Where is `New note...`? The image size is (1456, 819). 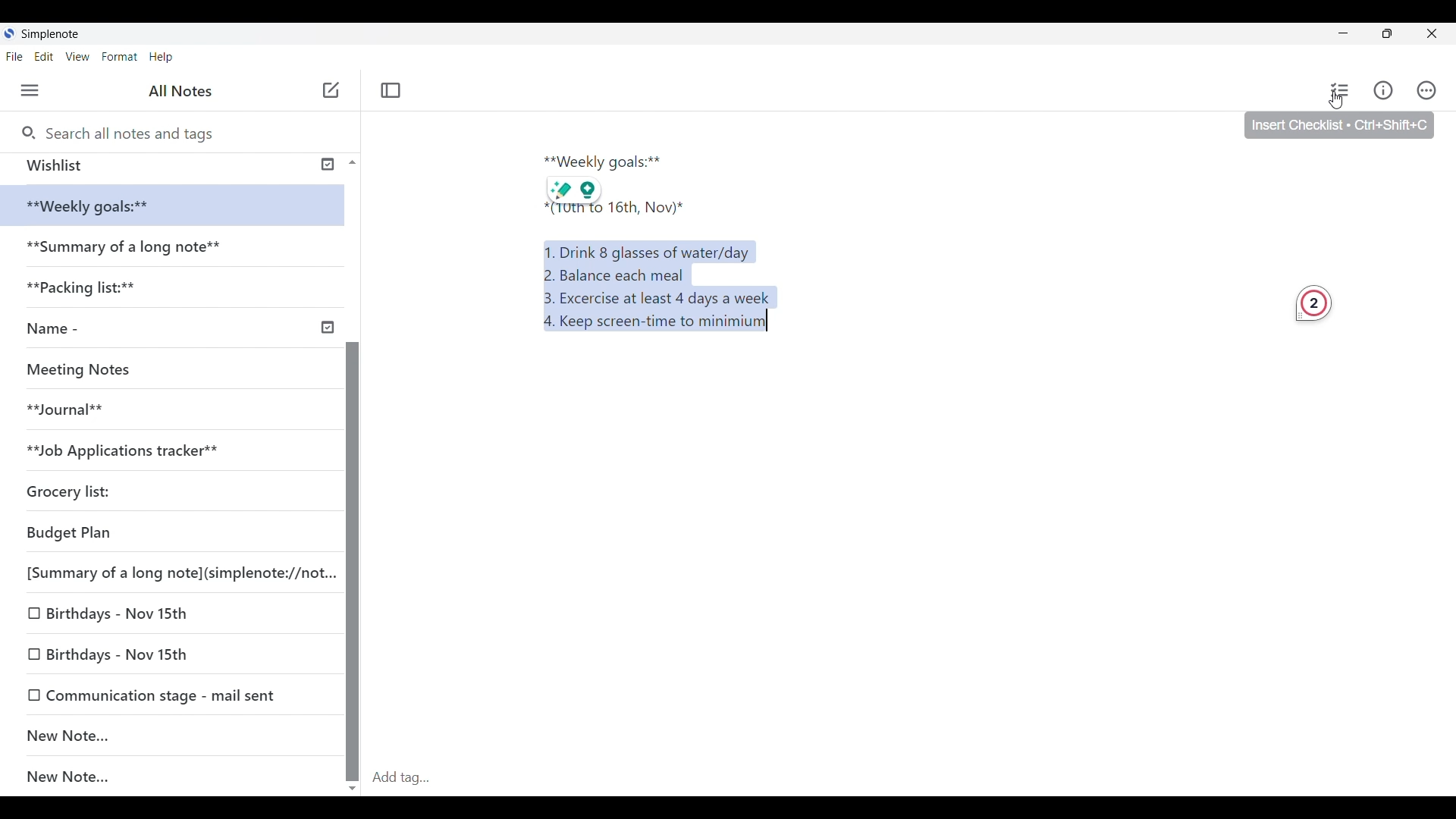 New note... is located at coordinates (180, 777).